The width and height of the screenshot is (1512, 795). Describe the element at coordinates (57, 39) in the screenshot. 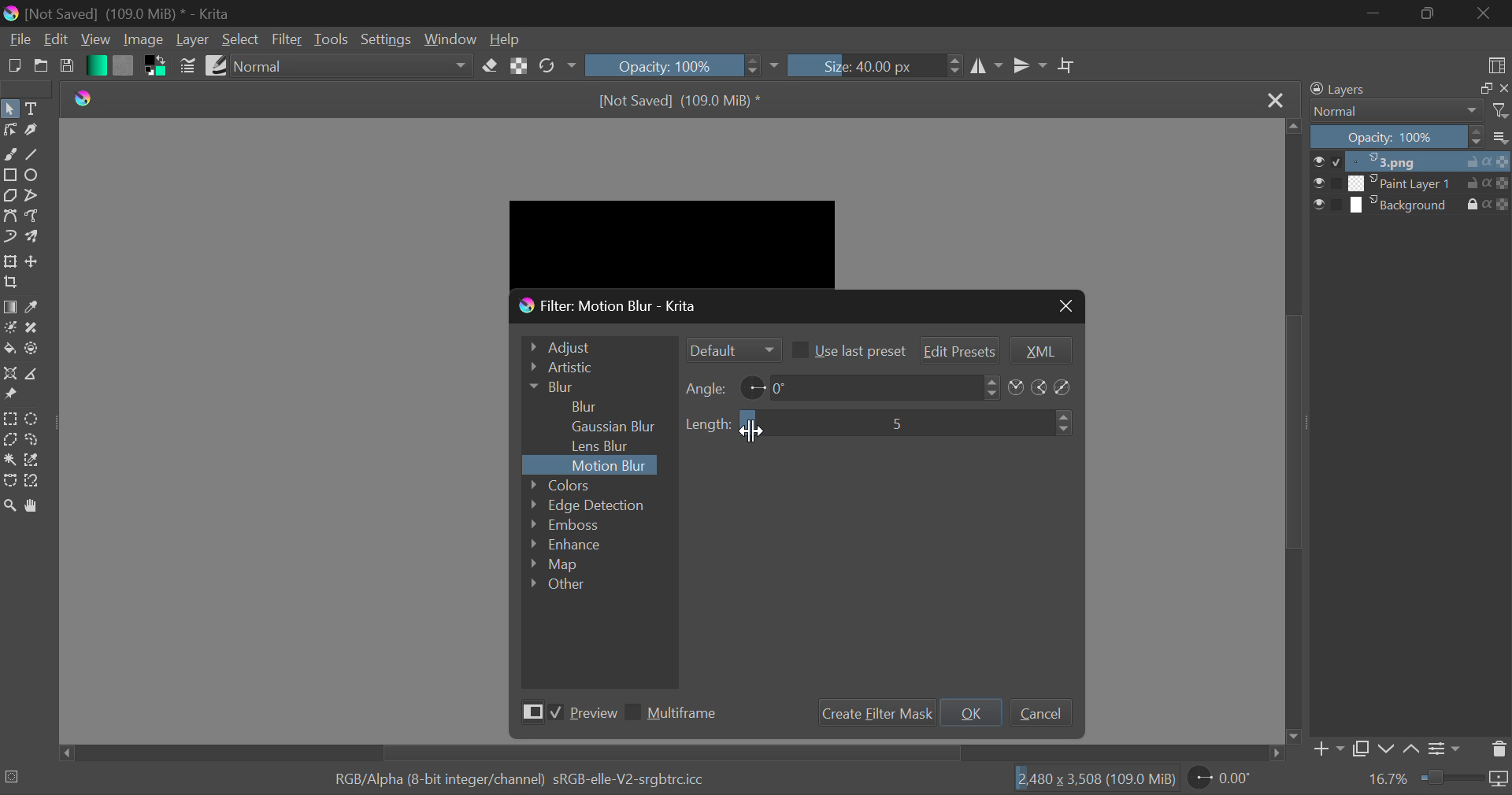

I see `Edit` at that location.